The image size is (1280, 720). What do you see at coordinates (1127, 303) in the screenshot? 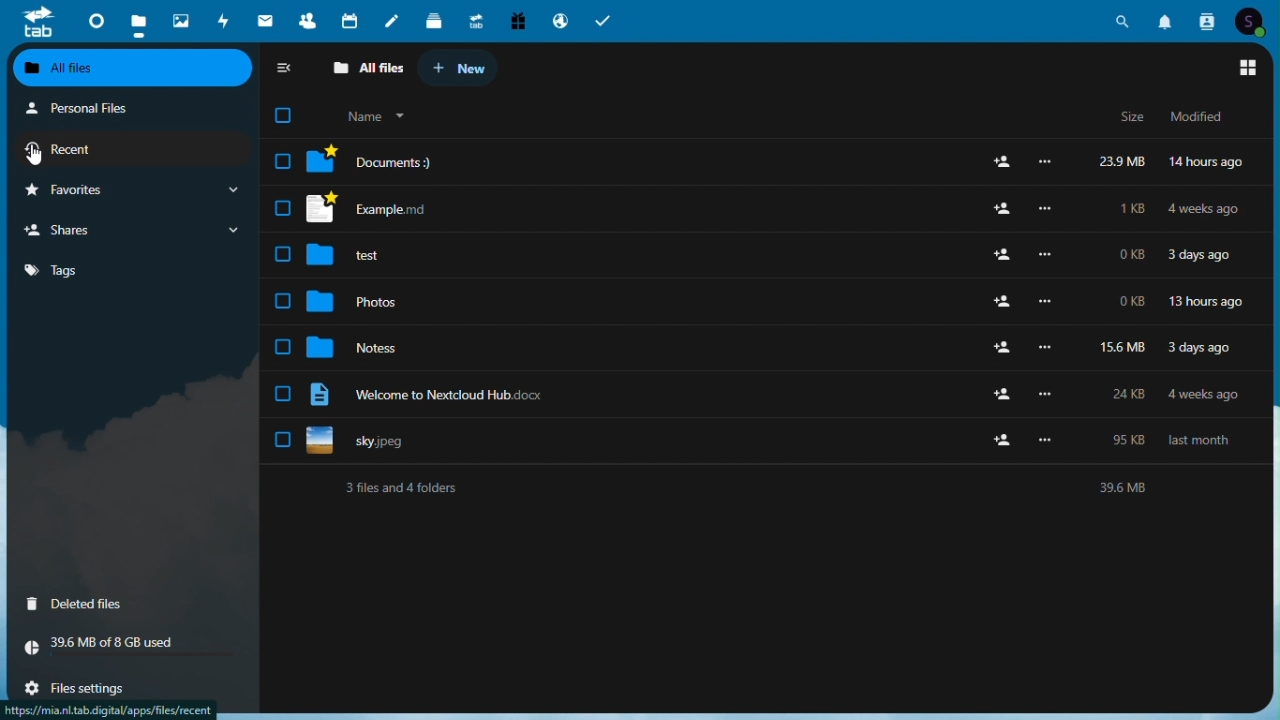
I see `0KB` at bounding box center [1127, 303].